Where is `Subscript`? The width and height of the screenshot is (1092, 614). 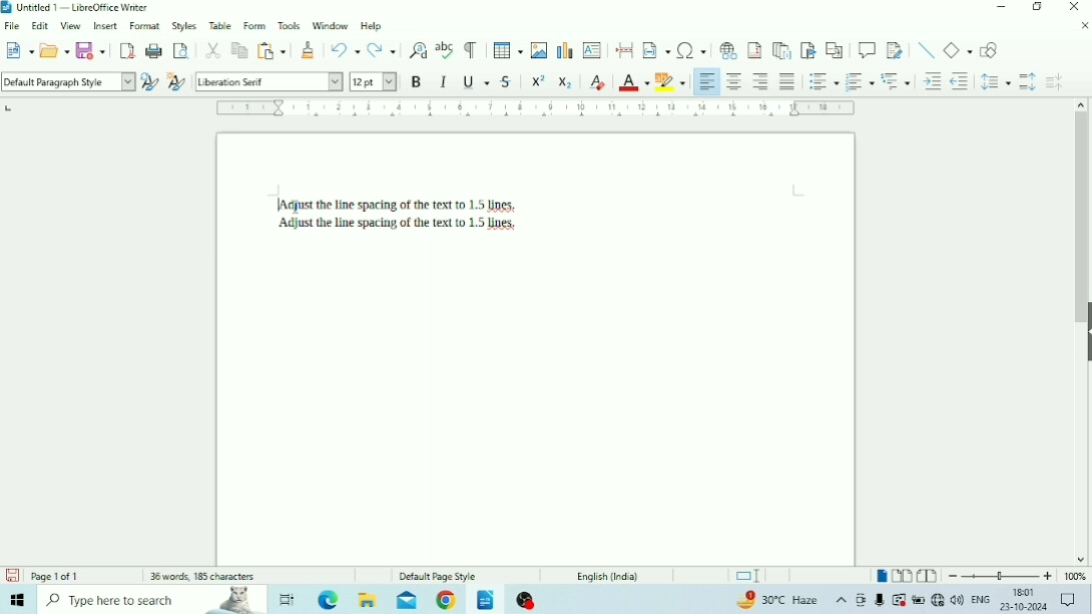
Subscript is located at coordinates (566, 82).